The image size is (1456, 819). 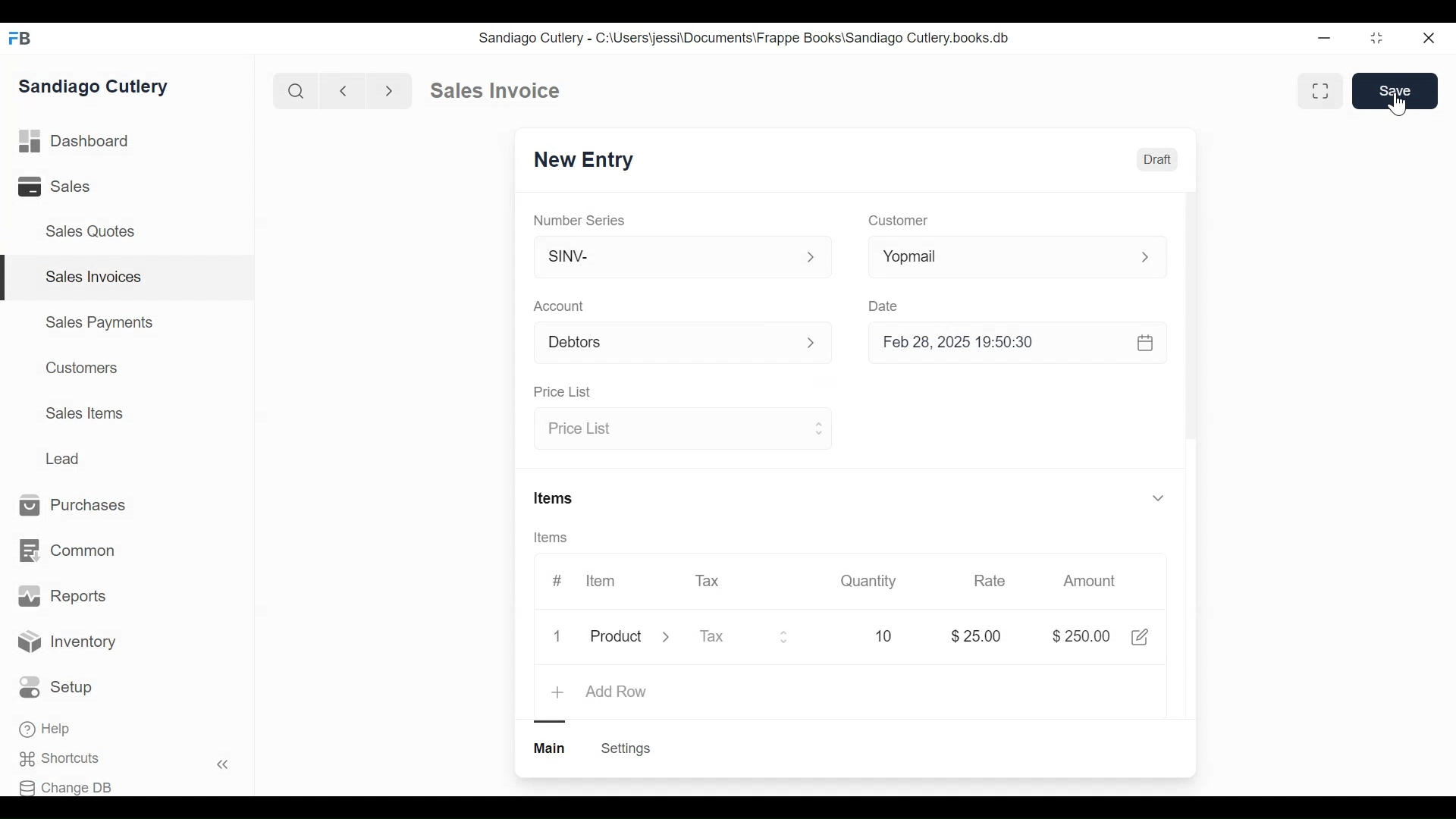 What do you see at coordinates (20, 38) in the screenshot?
I see `FB logo` at bounding box center [20, 38].